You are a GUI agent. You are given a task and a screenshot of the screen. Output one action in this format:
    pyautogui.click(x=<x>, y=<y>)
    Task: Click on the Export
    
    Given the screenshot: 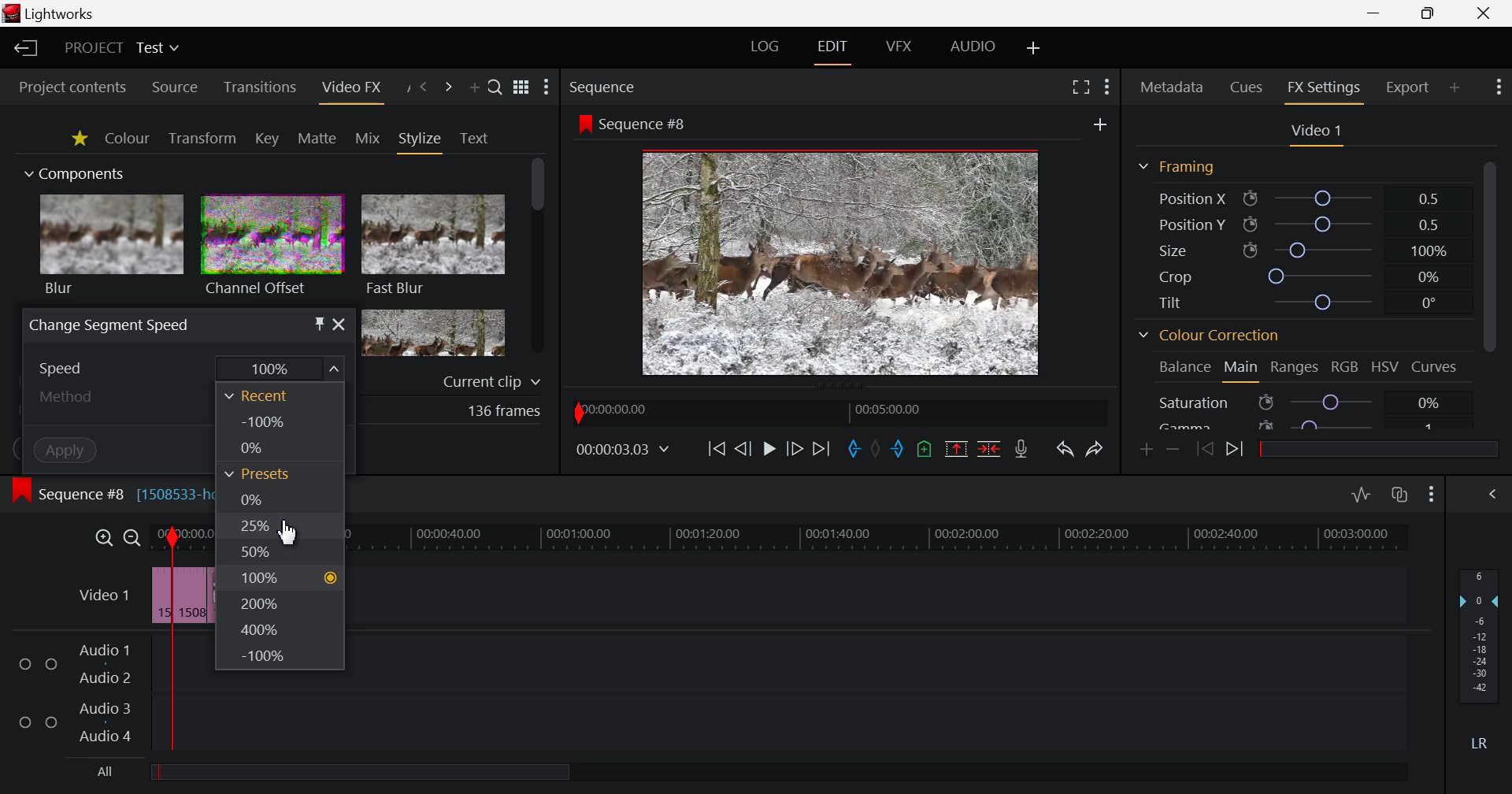 What is the action you would take?
    pyautogui.click(x=1409, y=87)
    